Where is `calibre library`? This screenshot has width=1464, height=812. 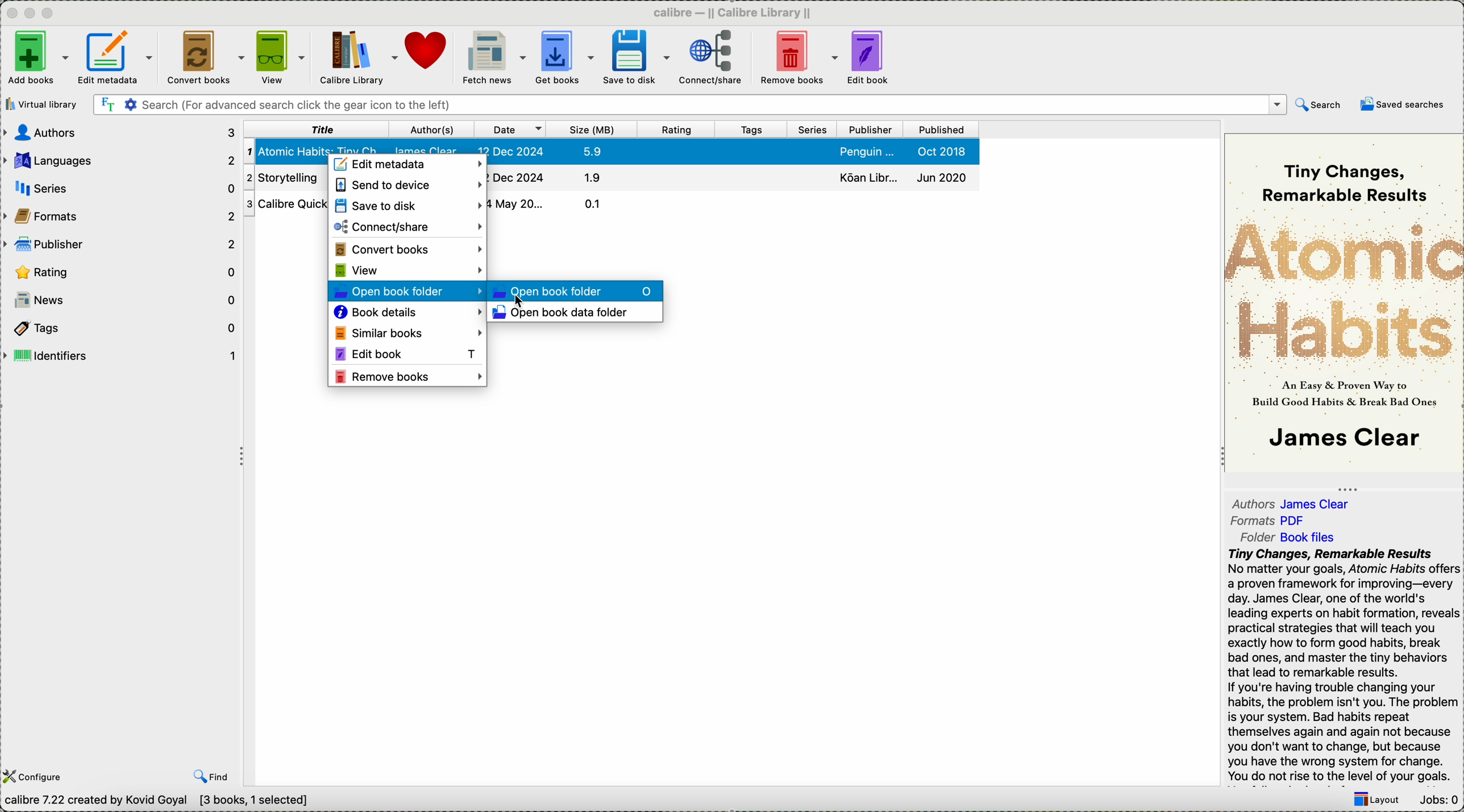
calibre library is located at coordinates (359, 59).